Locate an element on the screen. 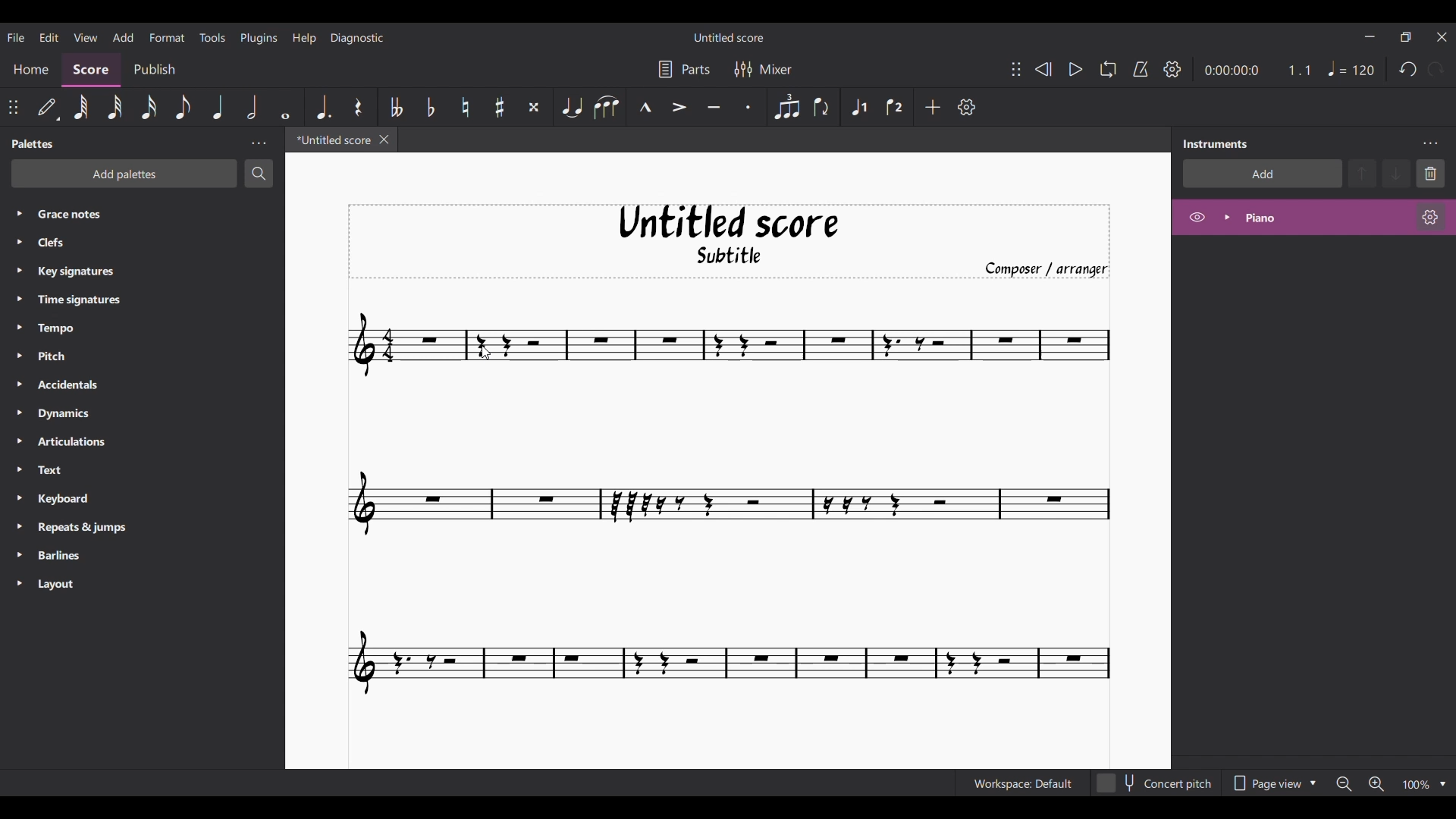 The height and width of the screenshot is (819, 1456). Song duration and ratio is located at coordinates (1258, 70).